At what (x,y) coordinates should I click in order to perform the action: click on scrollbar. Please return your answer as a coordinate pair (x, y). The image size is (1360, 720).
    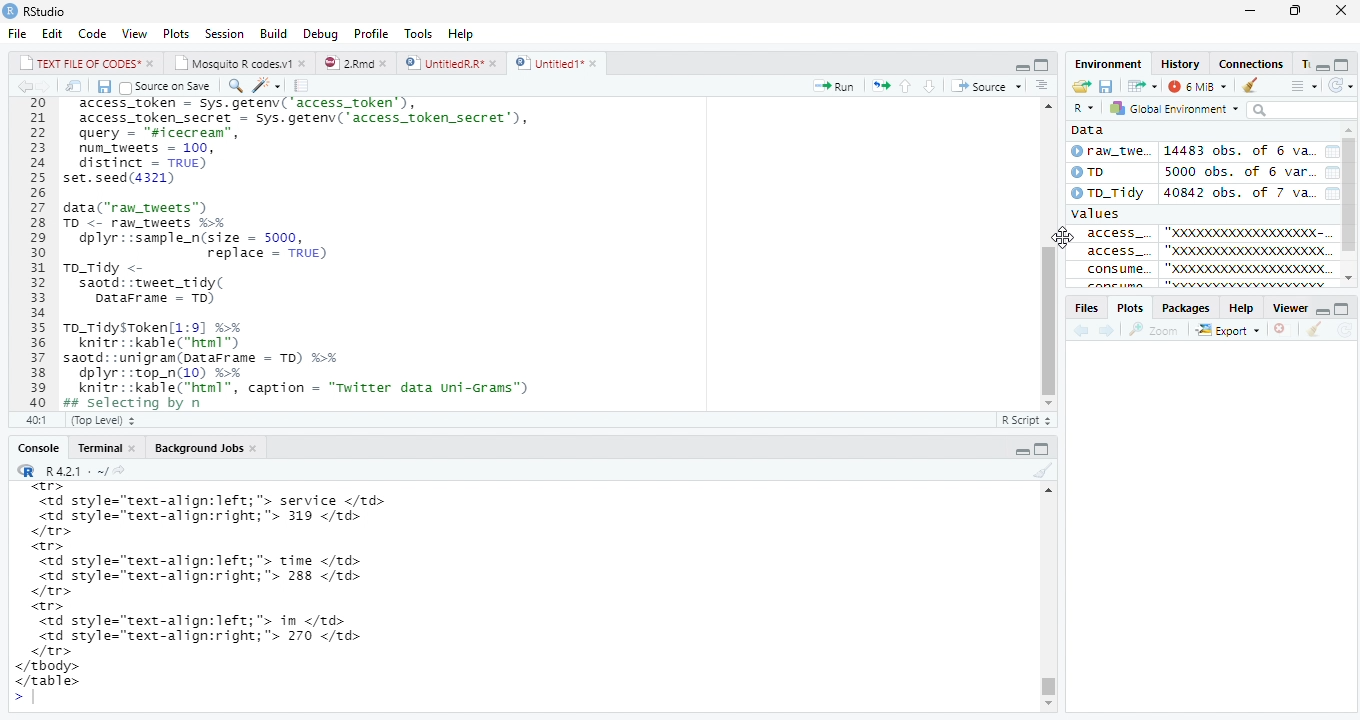
    Looking at the image, I should click on (1351, 203).